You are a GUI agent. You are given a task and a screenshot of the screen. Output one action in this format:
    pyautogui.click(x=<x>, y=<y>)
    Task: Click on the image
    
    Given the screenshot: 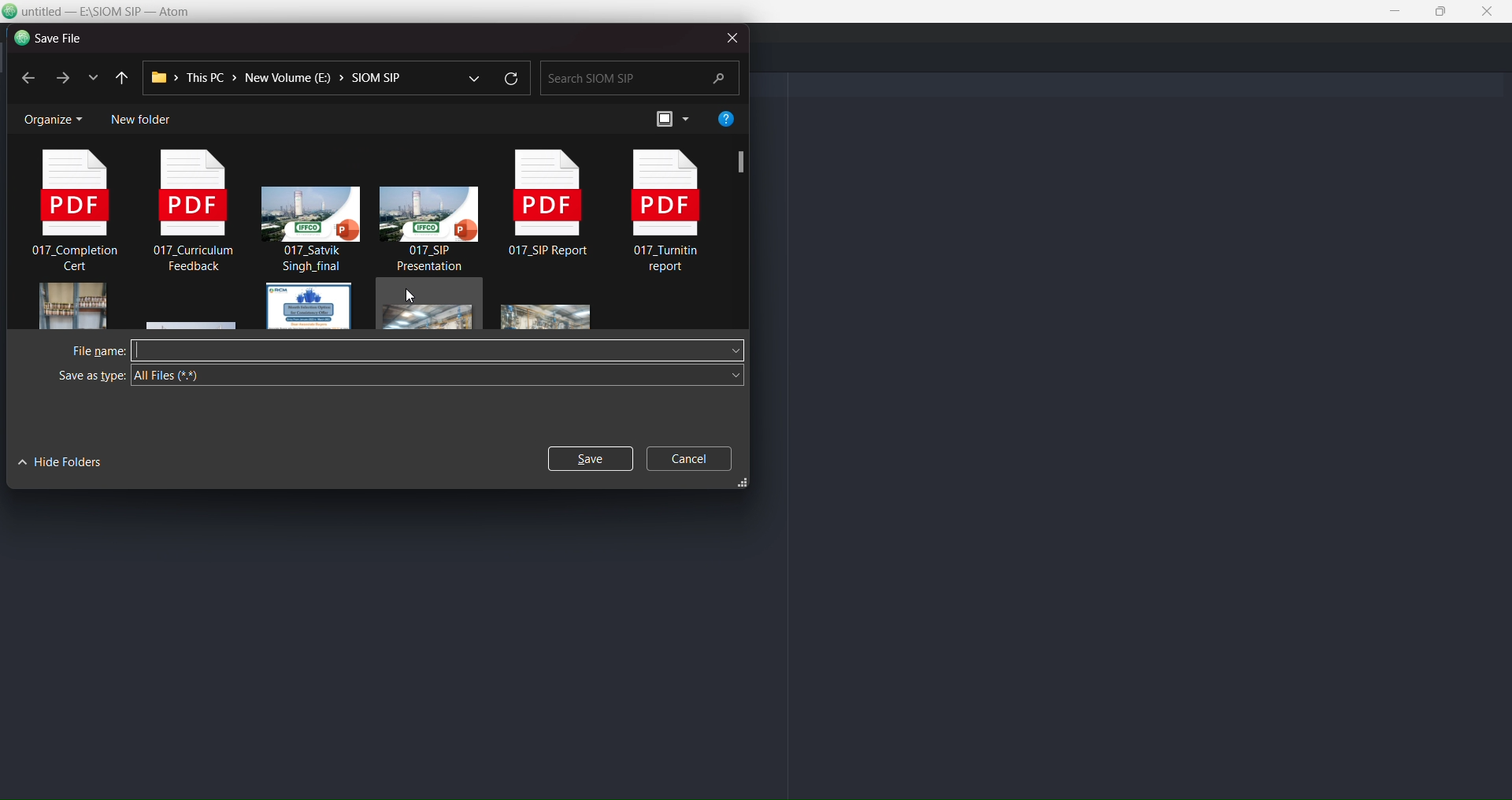 What is the action you would take?
    pyautogui.click(x=77, y=304)
    